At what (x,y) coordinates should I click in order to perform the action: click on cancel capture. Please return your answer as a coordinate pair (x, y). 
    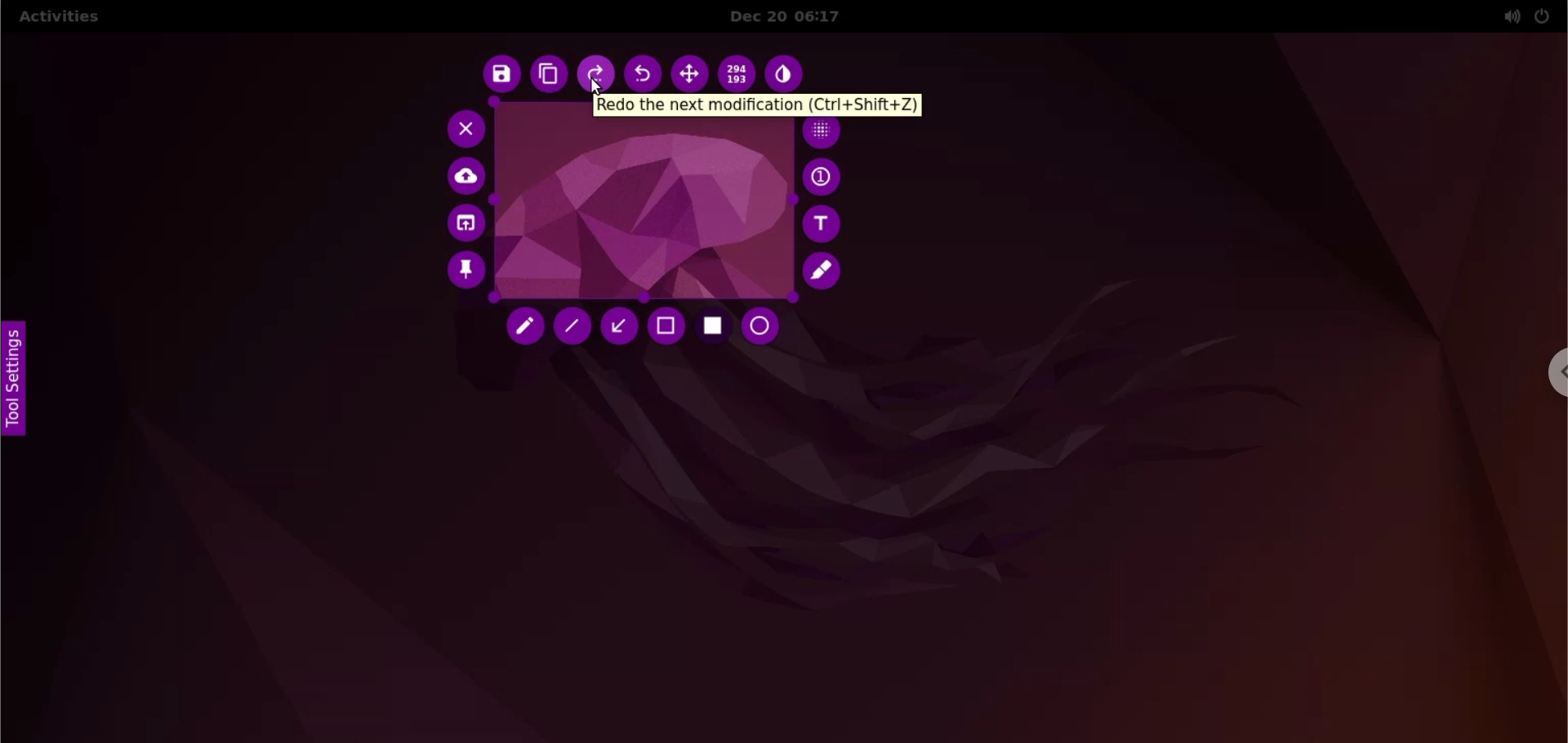
    Looking at the image, I should click on (461, 128).